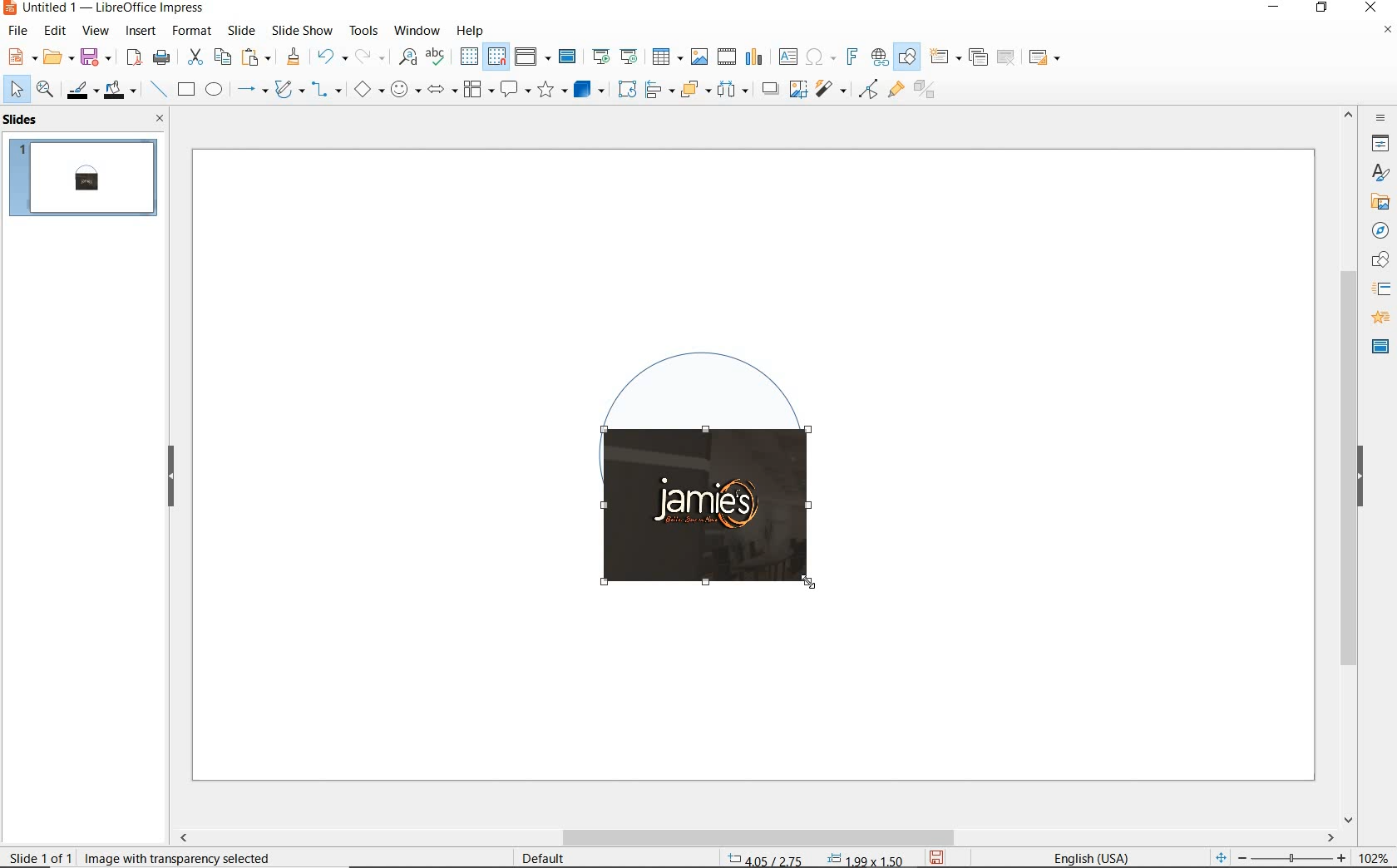 This screenshot has height=868, width=1397. What do you see at coordinates (96, 56) in the screenshot?
I see `save` at bounding box center [96, 56].